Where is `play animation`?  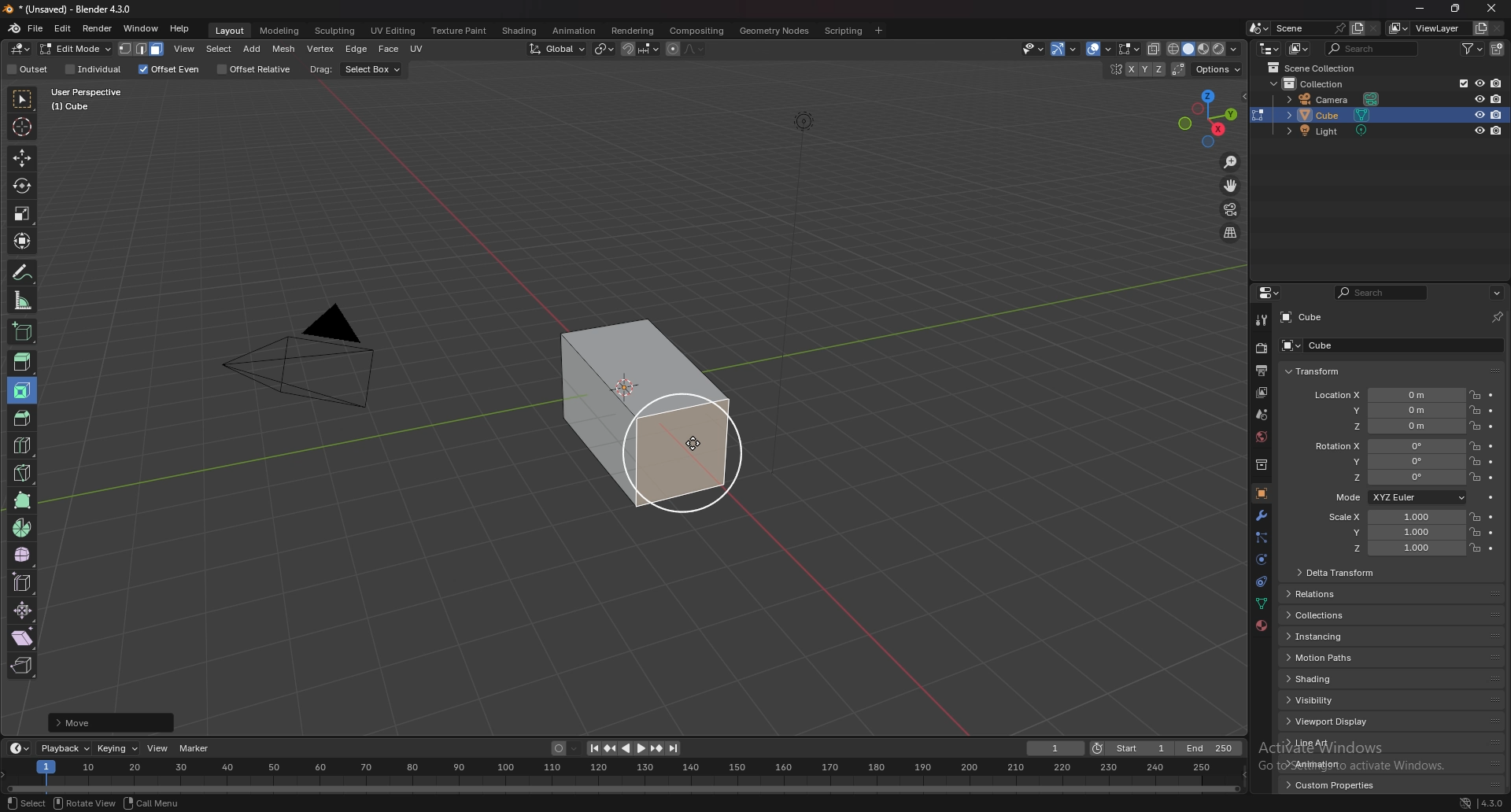 play animation is located at coordinates (634, 749).